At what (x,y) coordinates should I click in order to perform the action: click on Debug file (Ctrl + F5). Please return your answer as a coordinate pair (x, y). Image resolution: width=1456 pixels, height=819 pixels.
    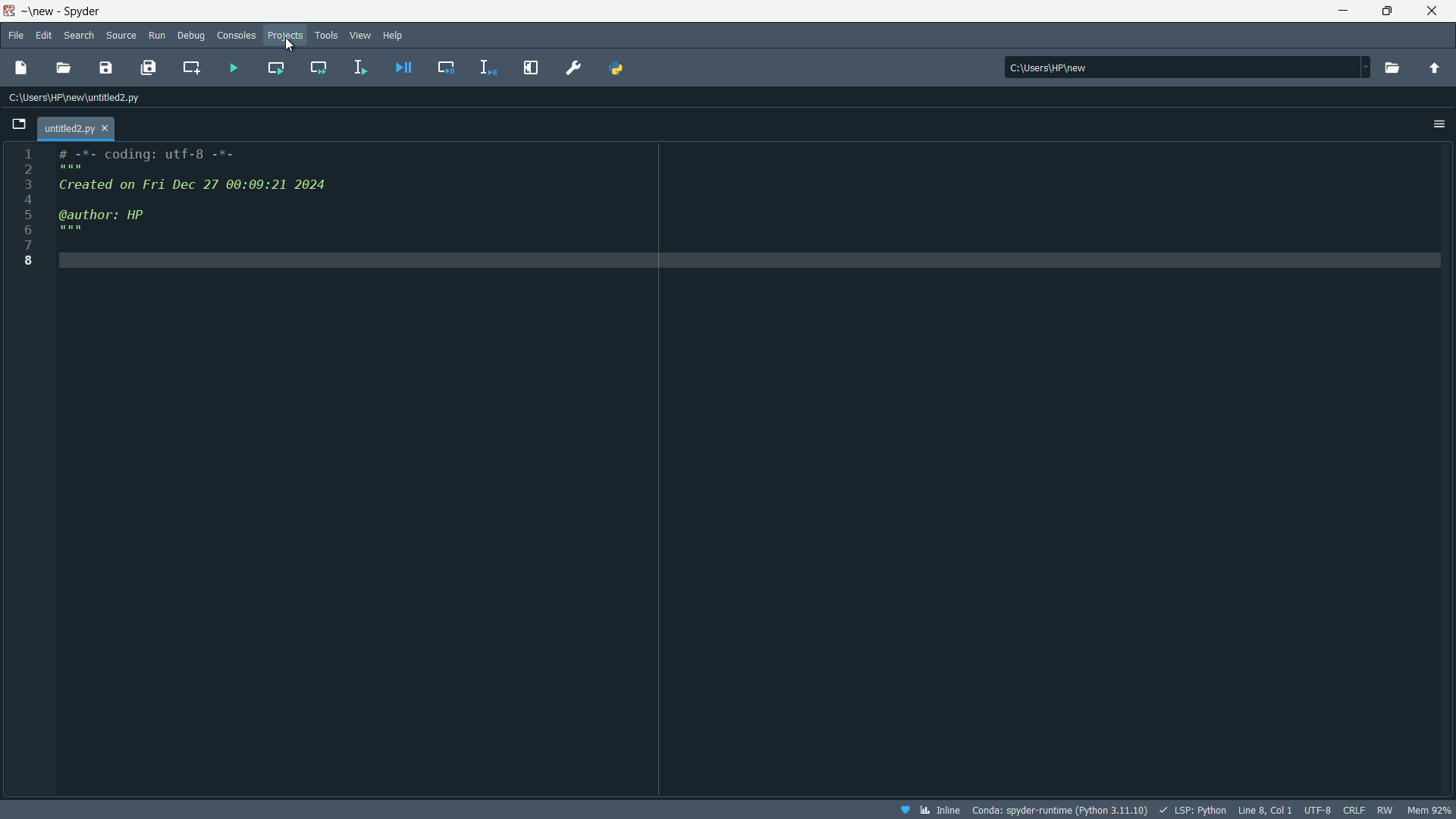
    Looking at the image, I should click on (405, 67).